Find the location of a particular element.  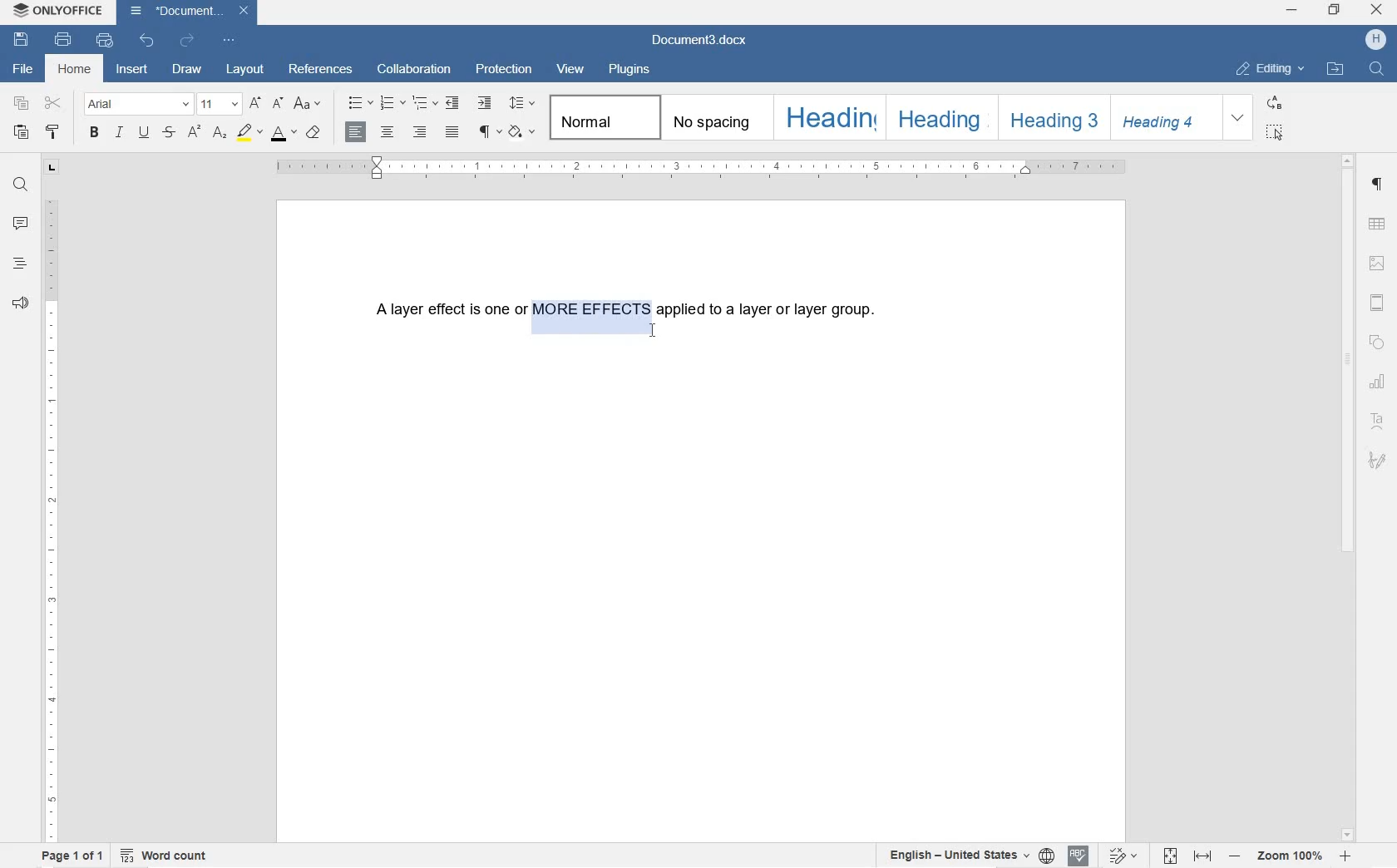

document3.docx is located at coordinates (187, 11).